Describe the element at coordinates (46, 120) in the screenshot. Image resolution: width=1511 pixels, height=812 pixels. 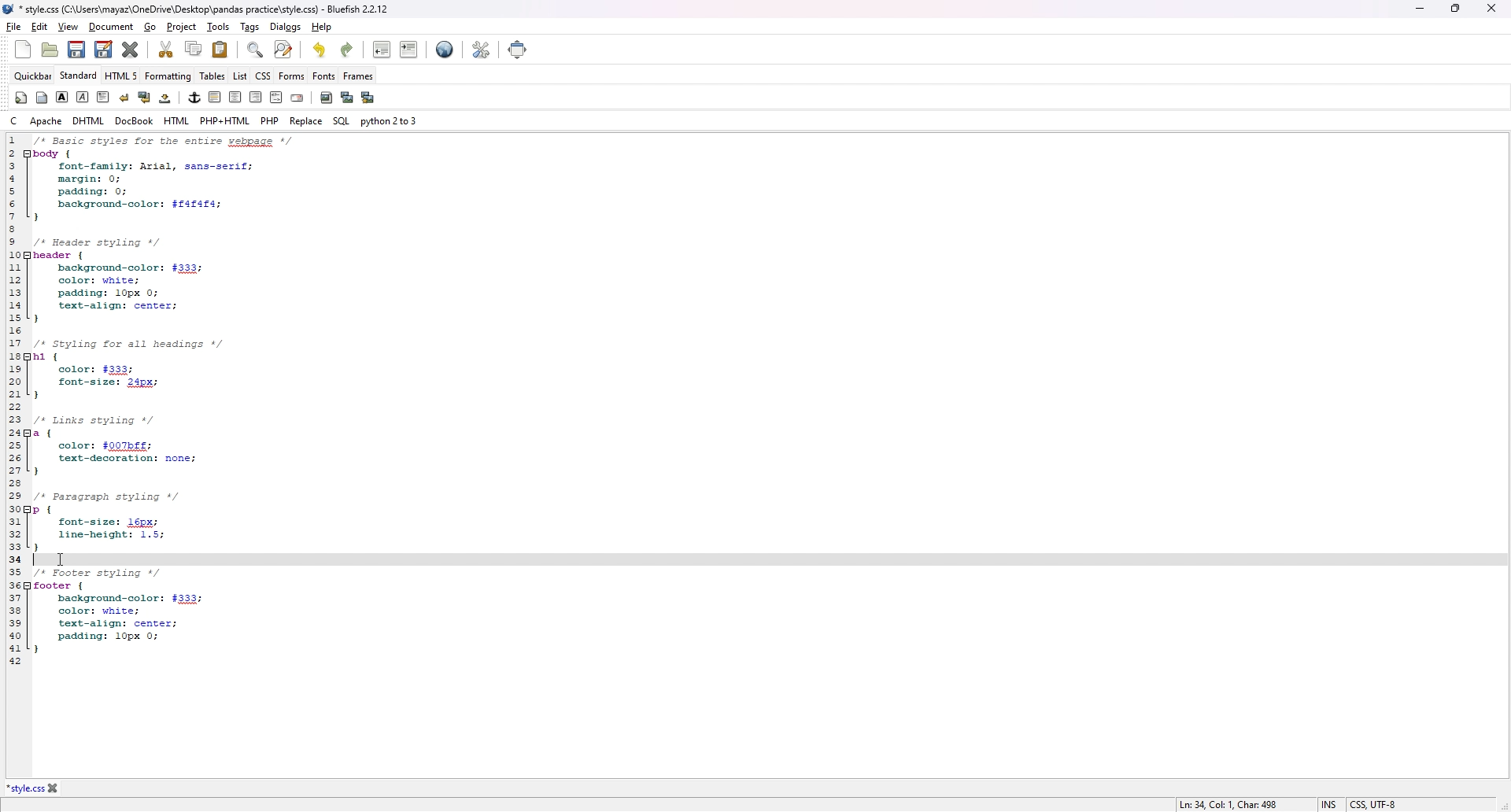
I see `apache` at that location.